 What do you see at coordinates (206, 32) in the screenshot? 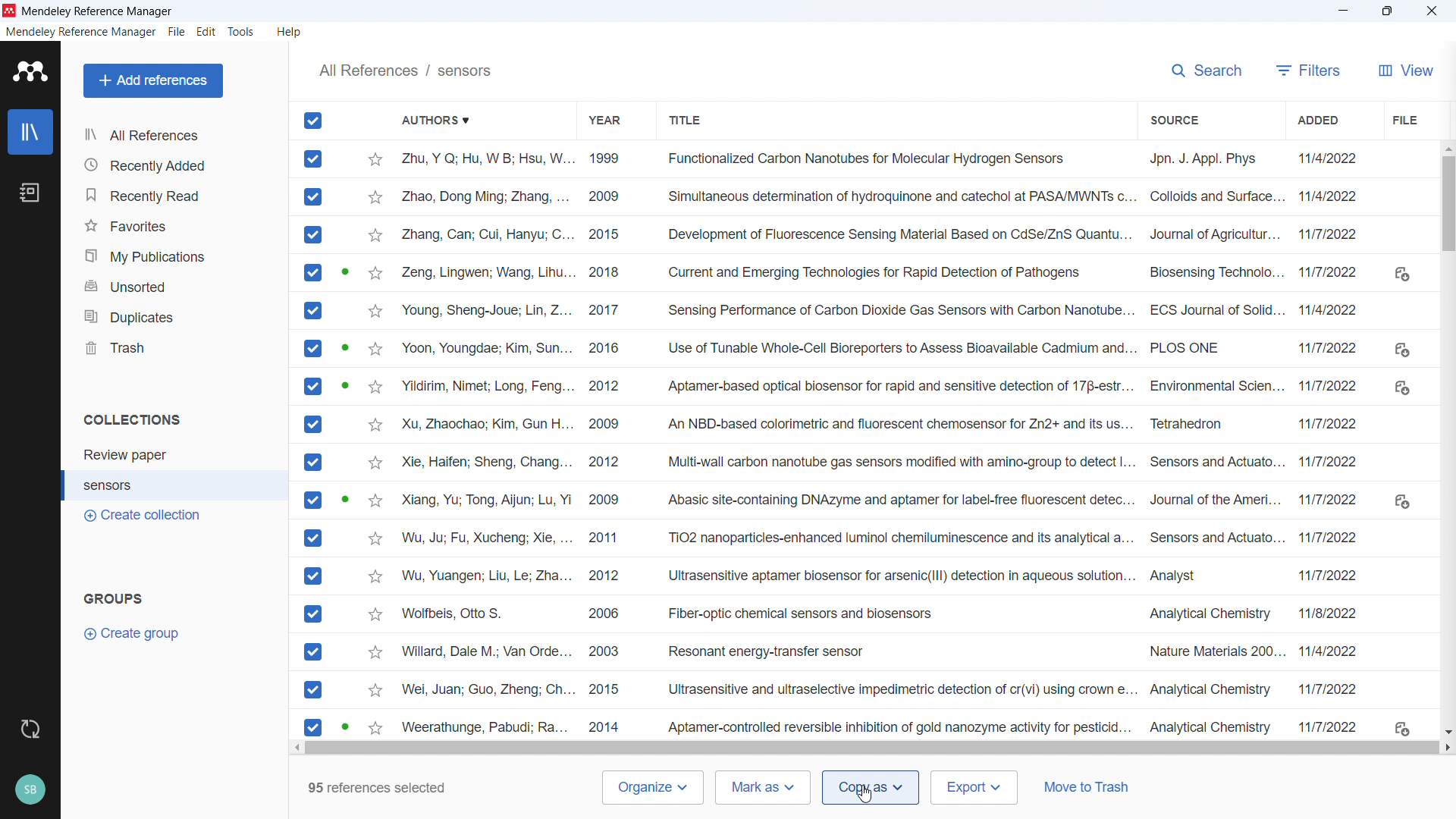
I see `edit` at bounding box center [206, 32].